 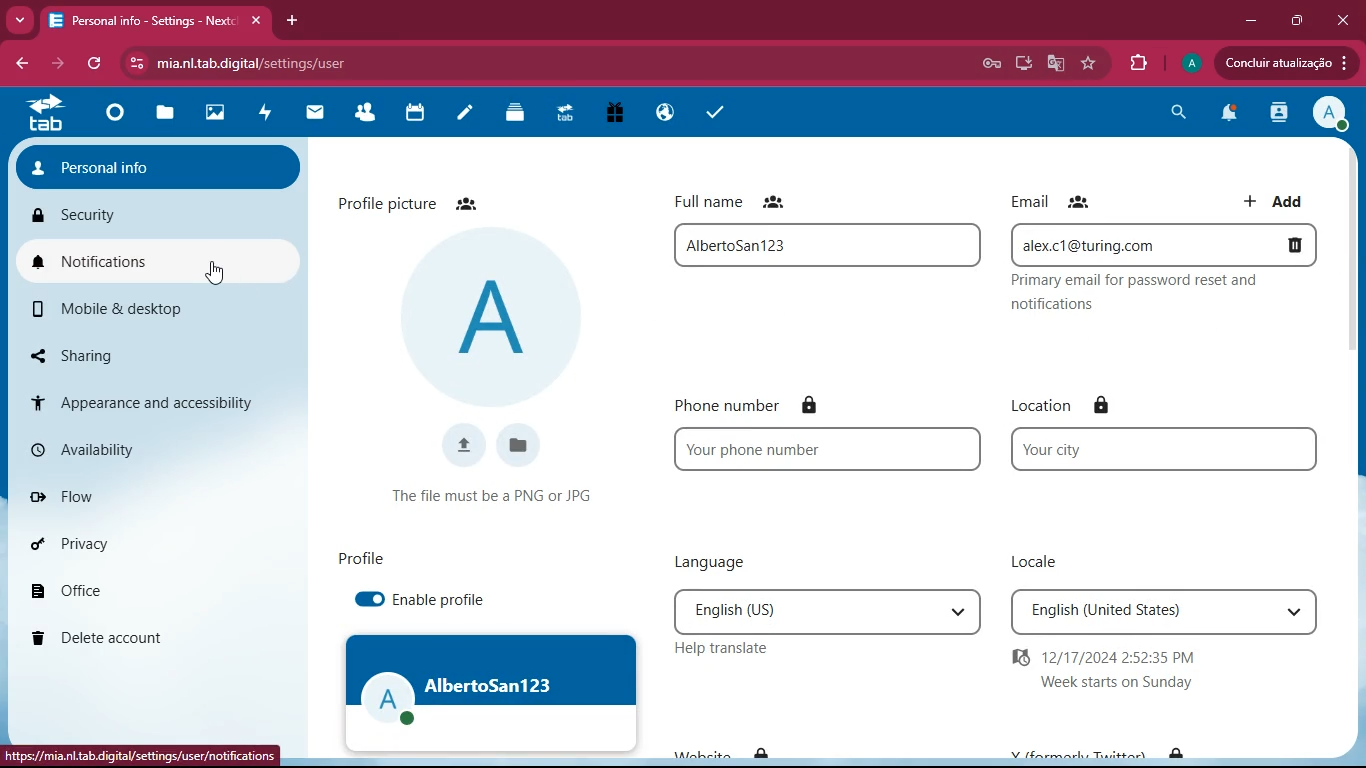 I want to click on phone number, so click(x=824, y=448).